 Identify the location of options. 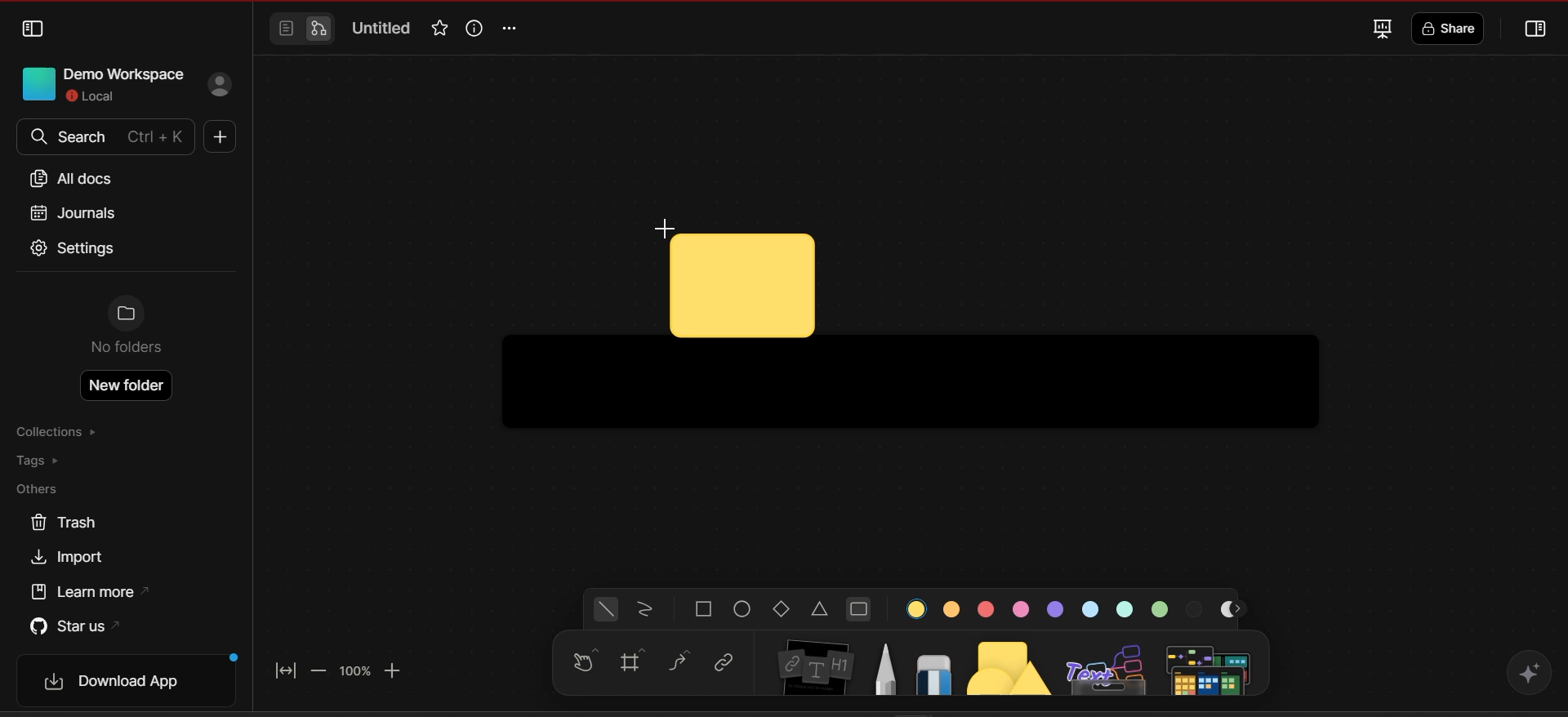
(514, 29).